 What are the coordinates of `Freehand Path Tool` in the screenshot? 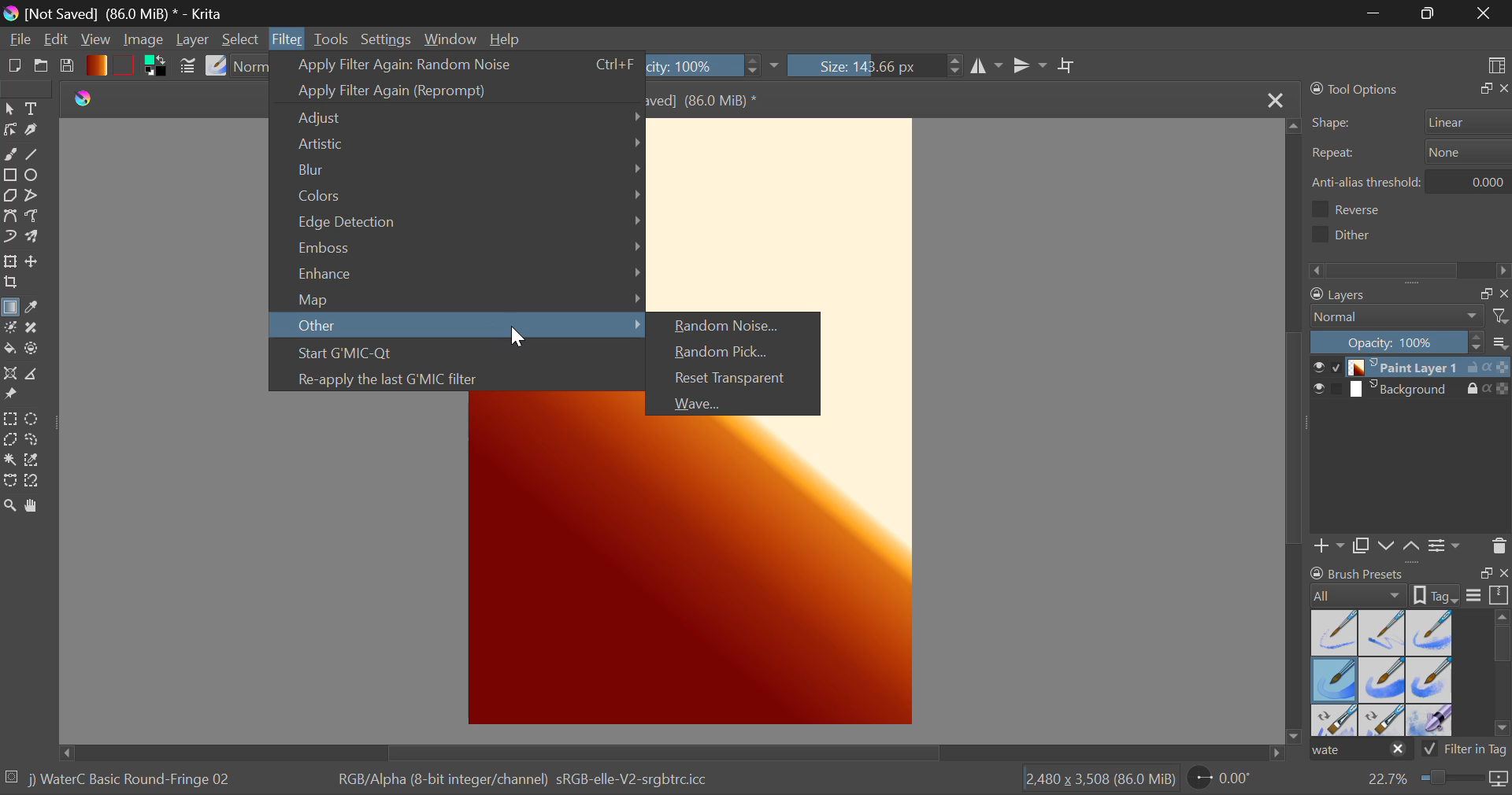 It's located at (37, 219).